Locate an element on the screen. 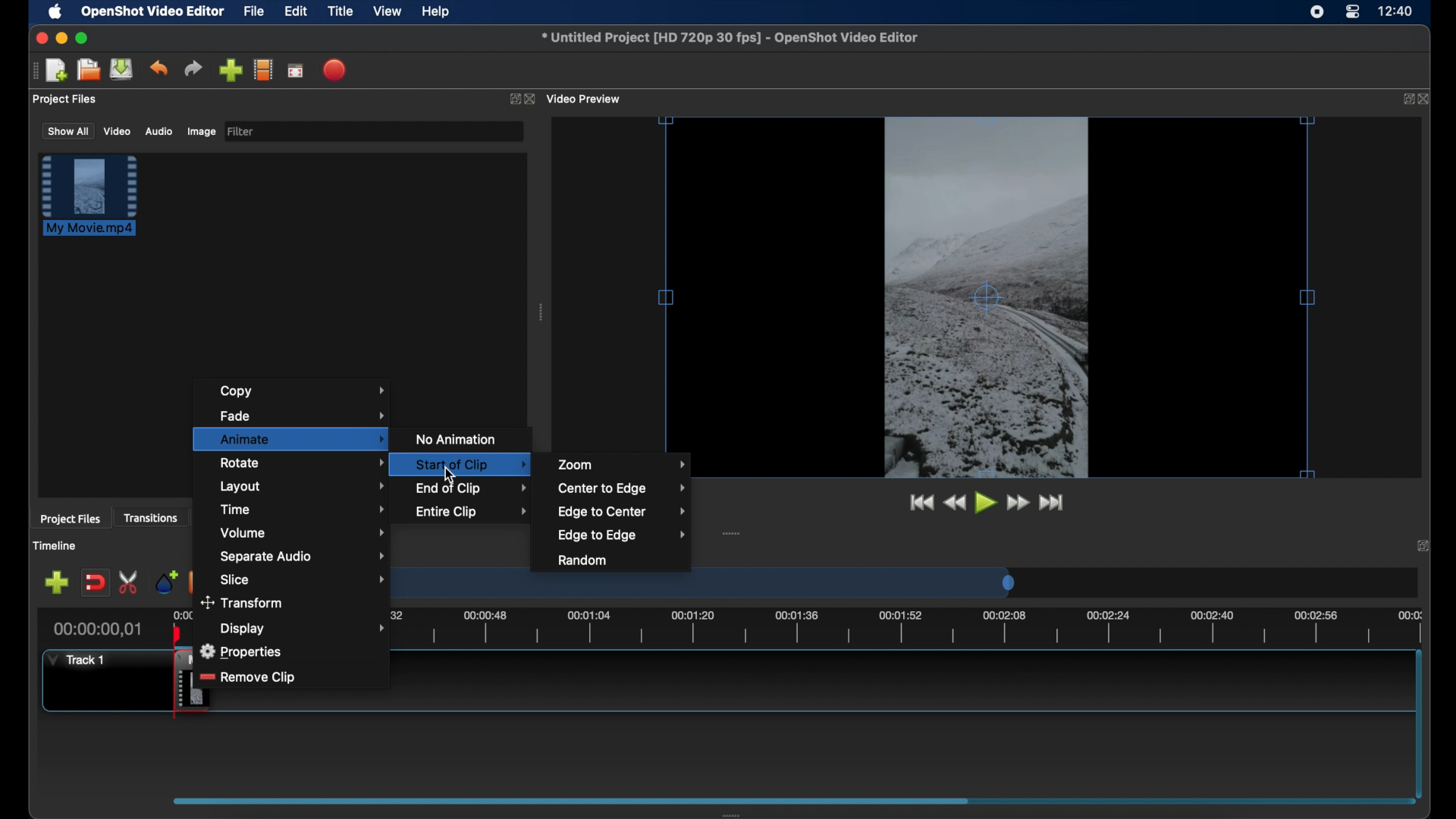 This screenshot has height=819, width=1456. fast forward is located at coordinates (1018, 503).